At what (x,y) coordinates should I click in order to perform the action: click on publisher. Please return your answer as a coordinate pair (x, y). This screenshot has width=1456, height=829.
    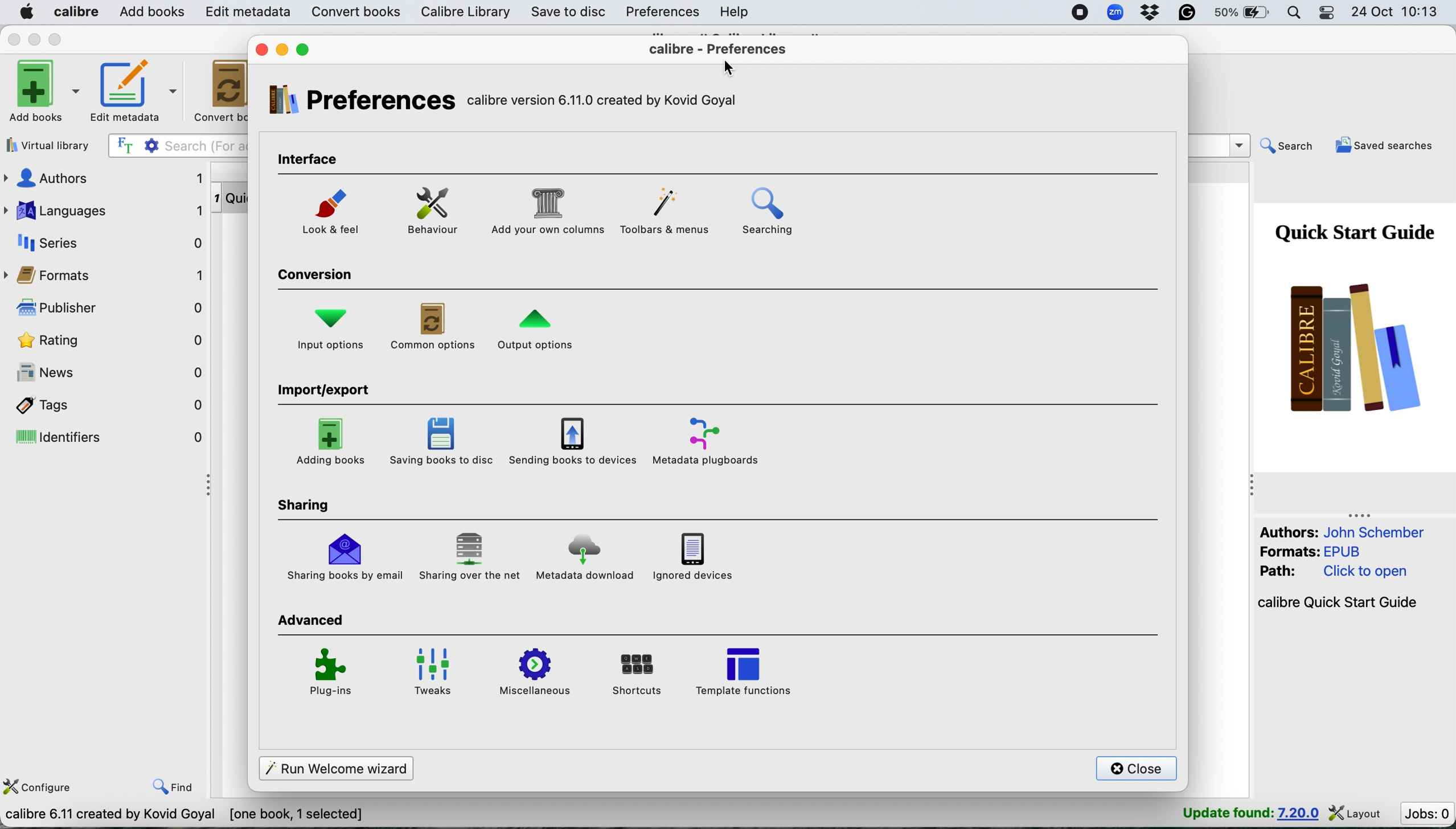
    Looking at the image, I should click on (108, 308).